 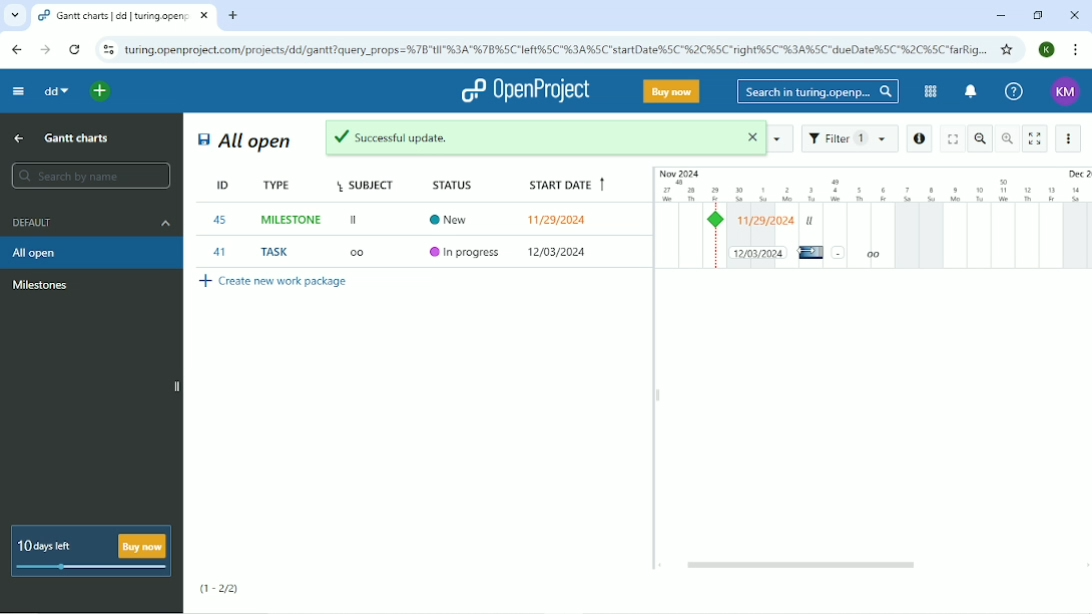 What do you see at coordinates (1070, 138) in the screenshot?
I see `More actions` at bounding box center [1070, 138].